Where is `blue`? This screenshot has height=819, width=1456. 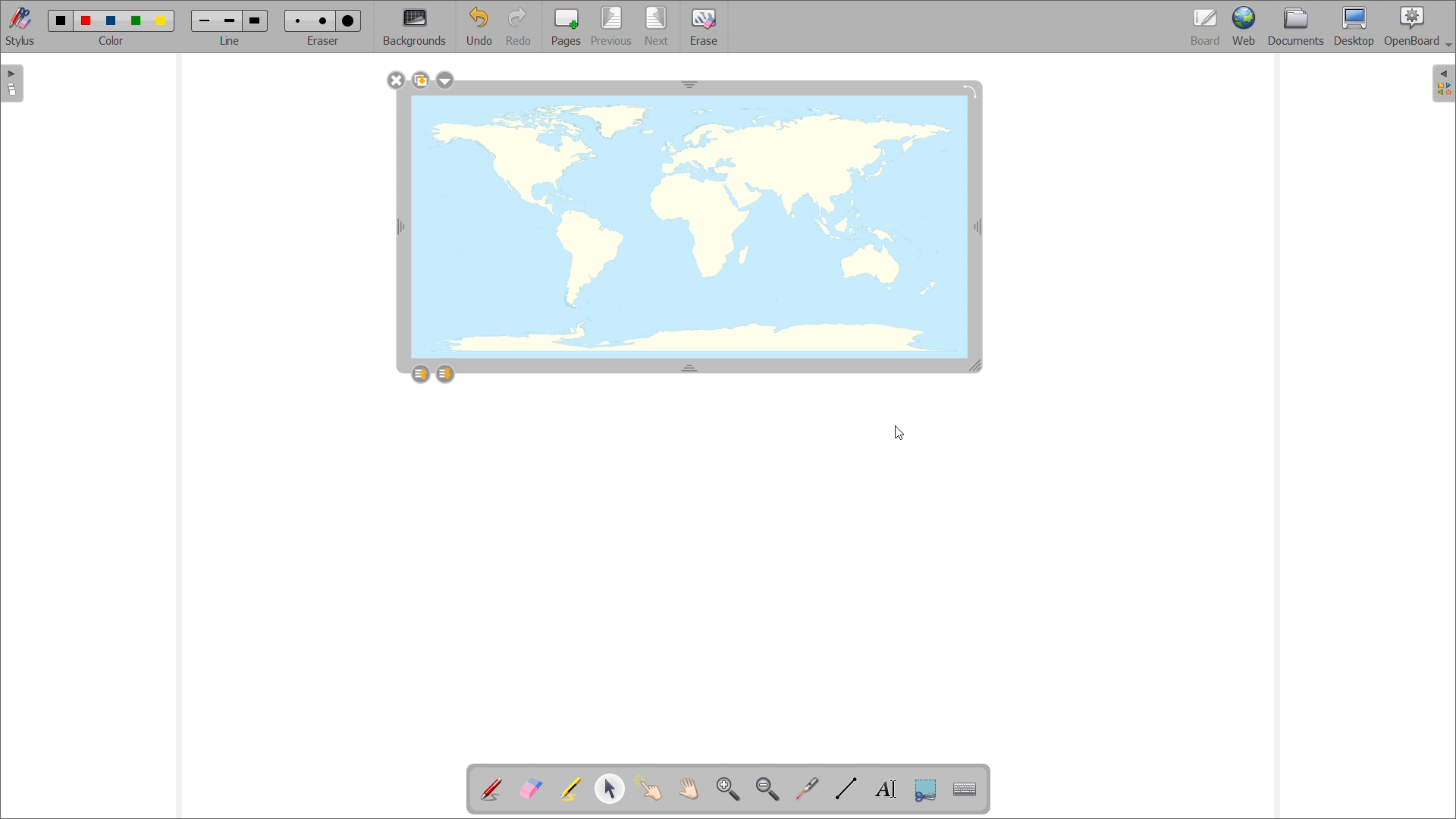
blue is located at coordinates (112, 20).